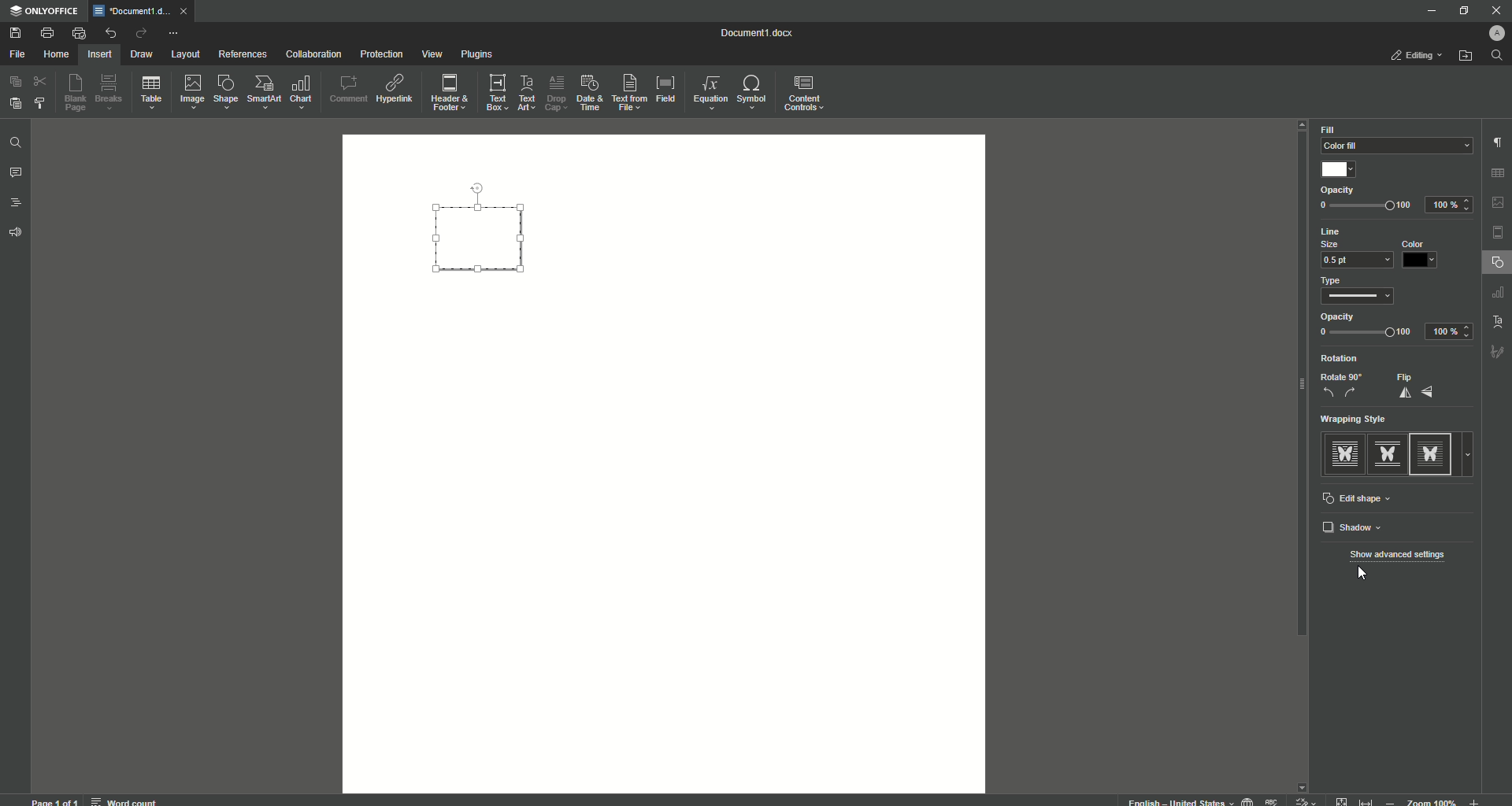  Describe the element at coordinates (98, 54) in the screenshot. I see `Insert` at that location.